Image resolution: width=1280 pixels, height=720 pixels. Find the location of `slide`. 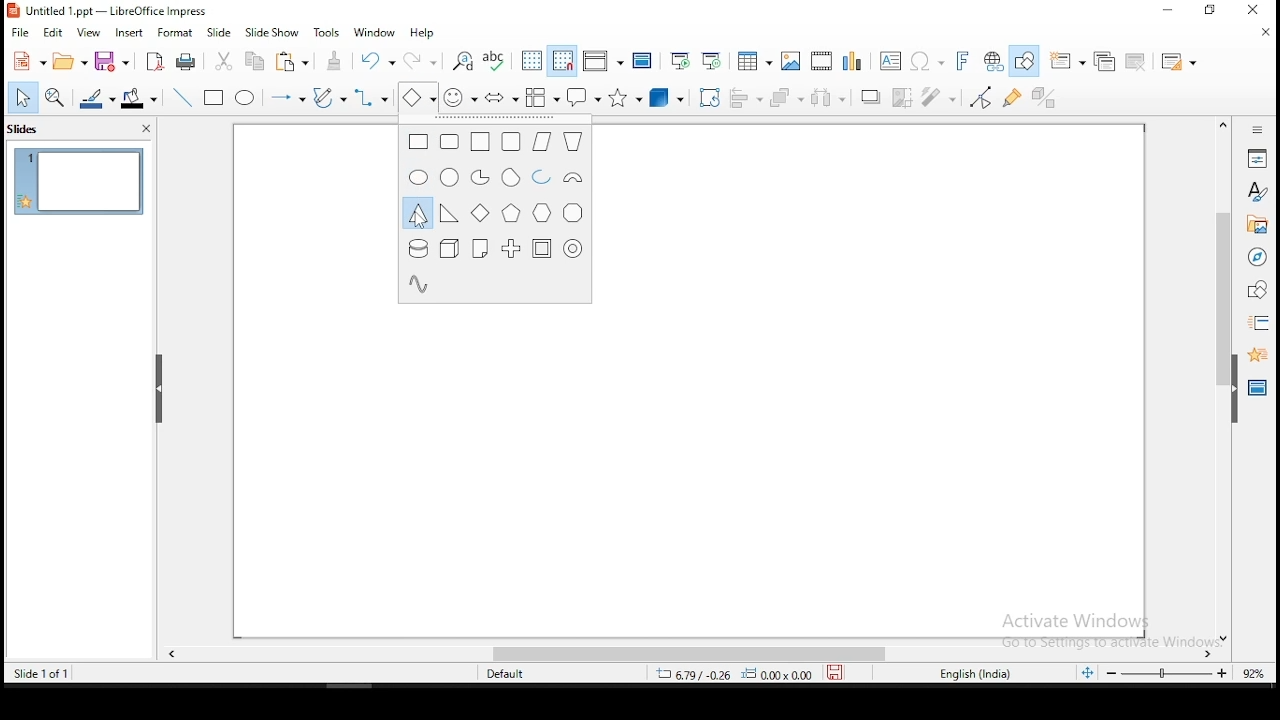

slide is located at coordinates (220, 30).